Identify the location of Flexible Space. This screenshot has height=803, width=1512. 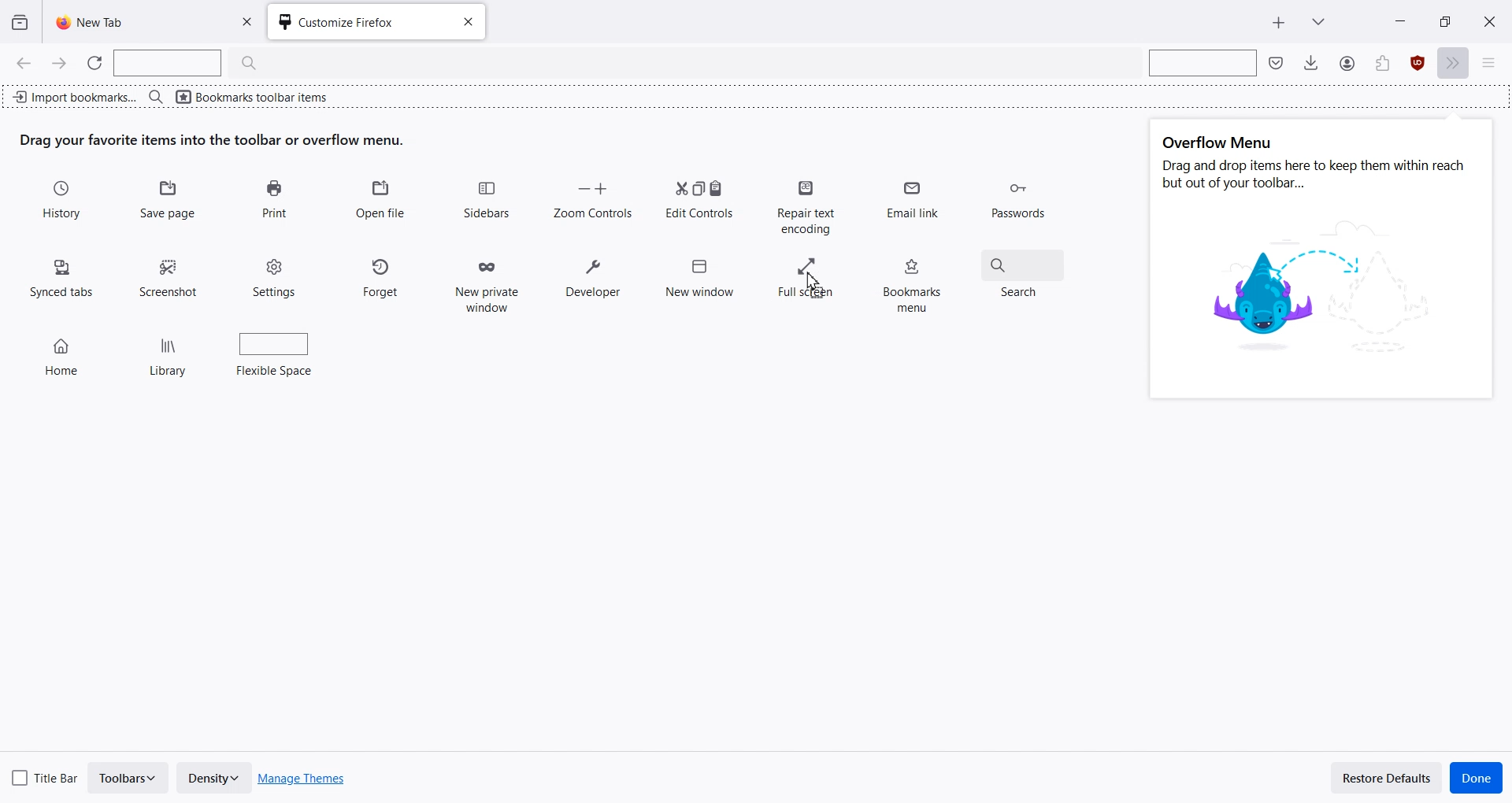
(276, 353).